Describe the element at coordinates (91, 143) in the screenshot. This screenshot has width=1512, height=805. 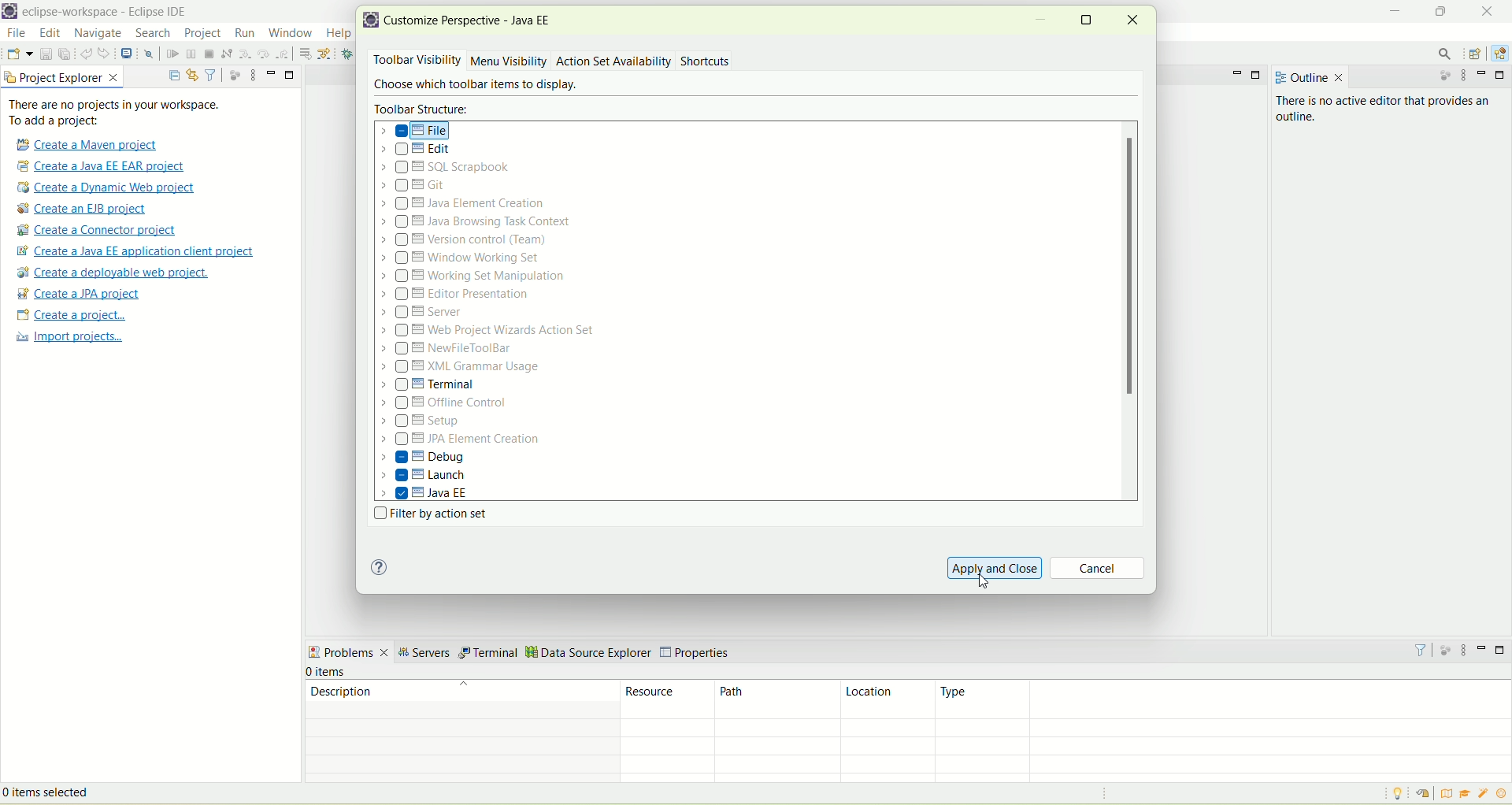
I see `create a Maven project` at that location.